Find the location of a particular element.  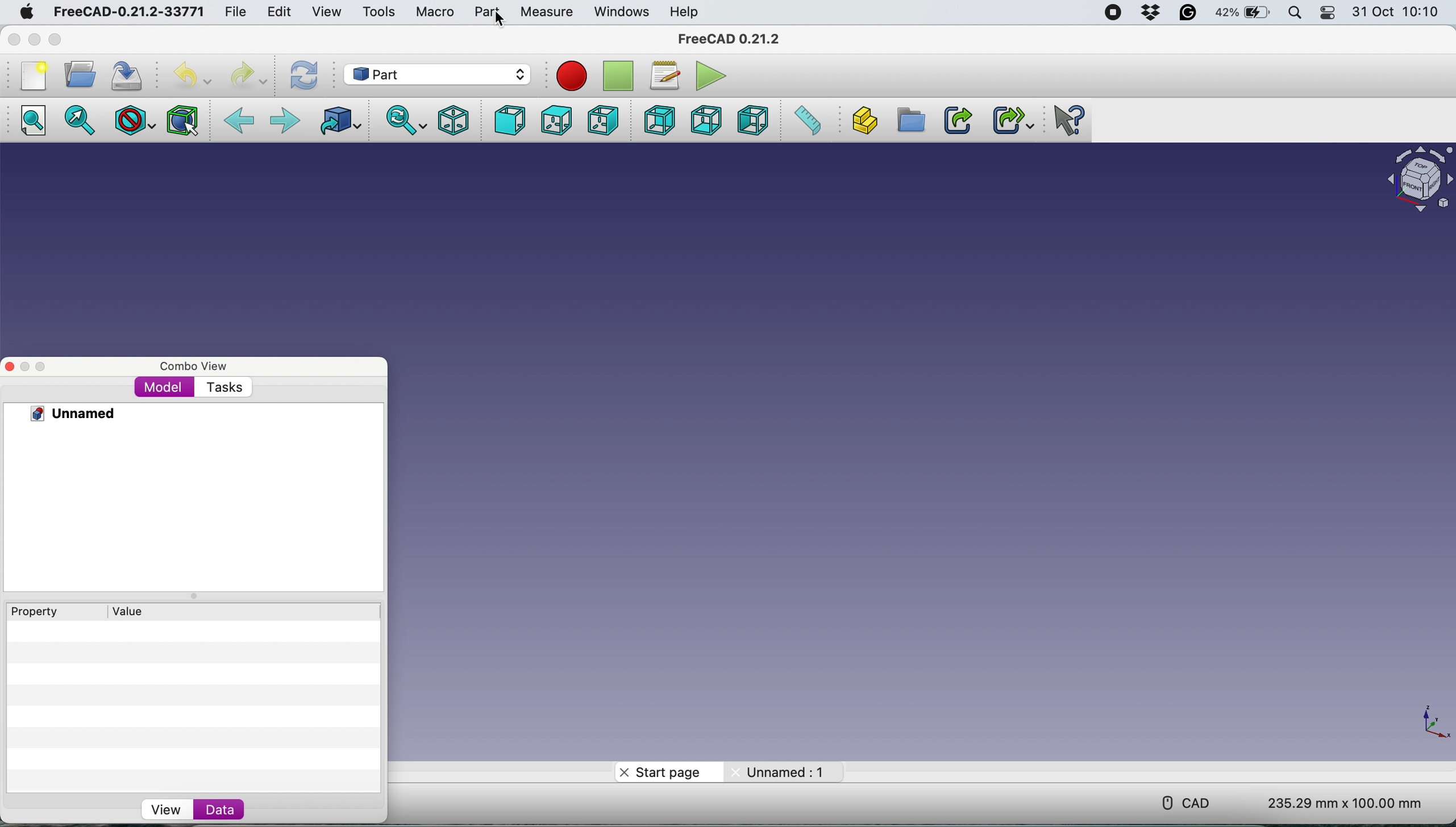

Tasks is located at coordinates (224, 389).